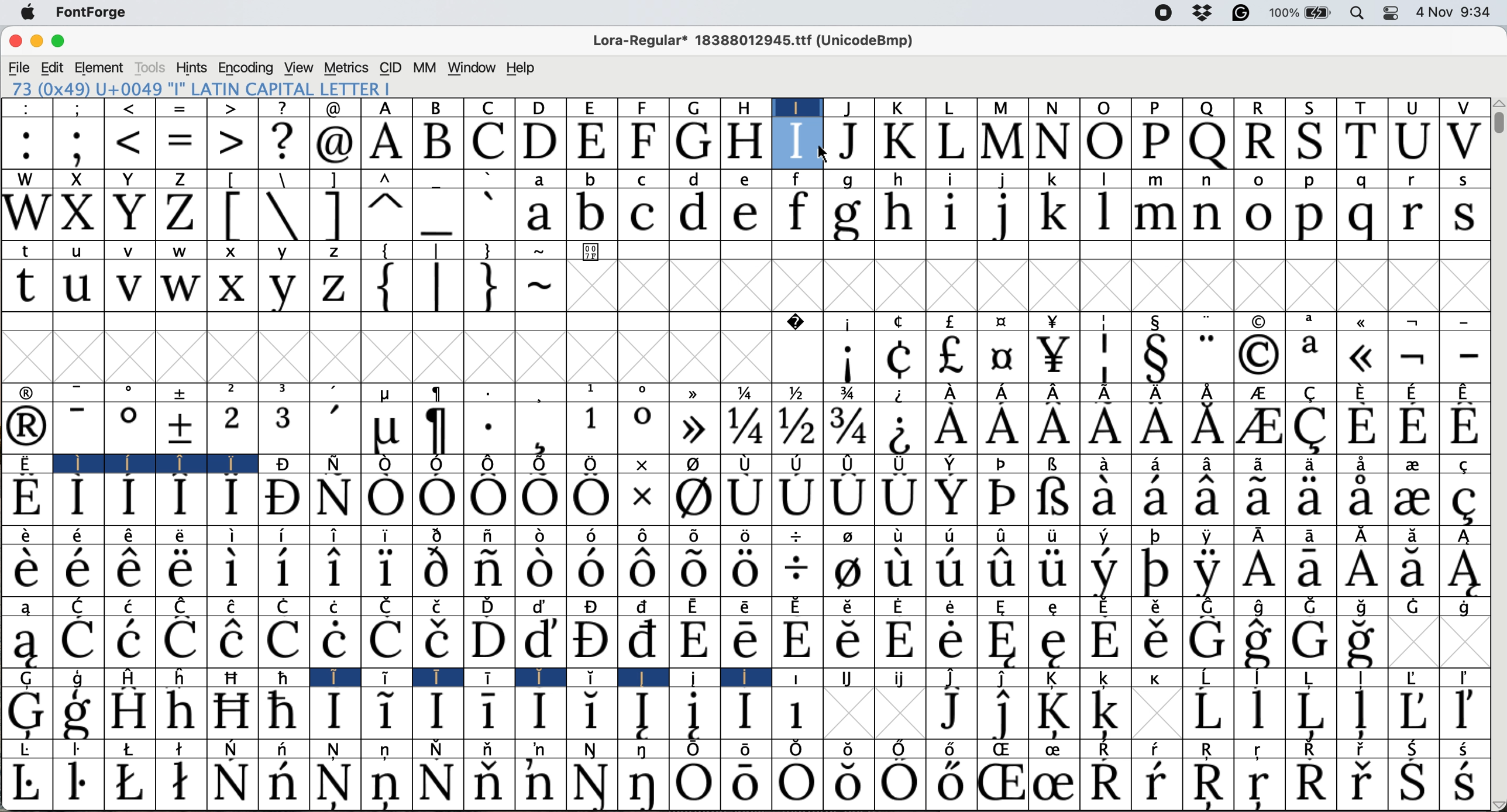 The width and height of the screenshot is (1507, 812). I want to click on Symbol, so click(1207, 642).